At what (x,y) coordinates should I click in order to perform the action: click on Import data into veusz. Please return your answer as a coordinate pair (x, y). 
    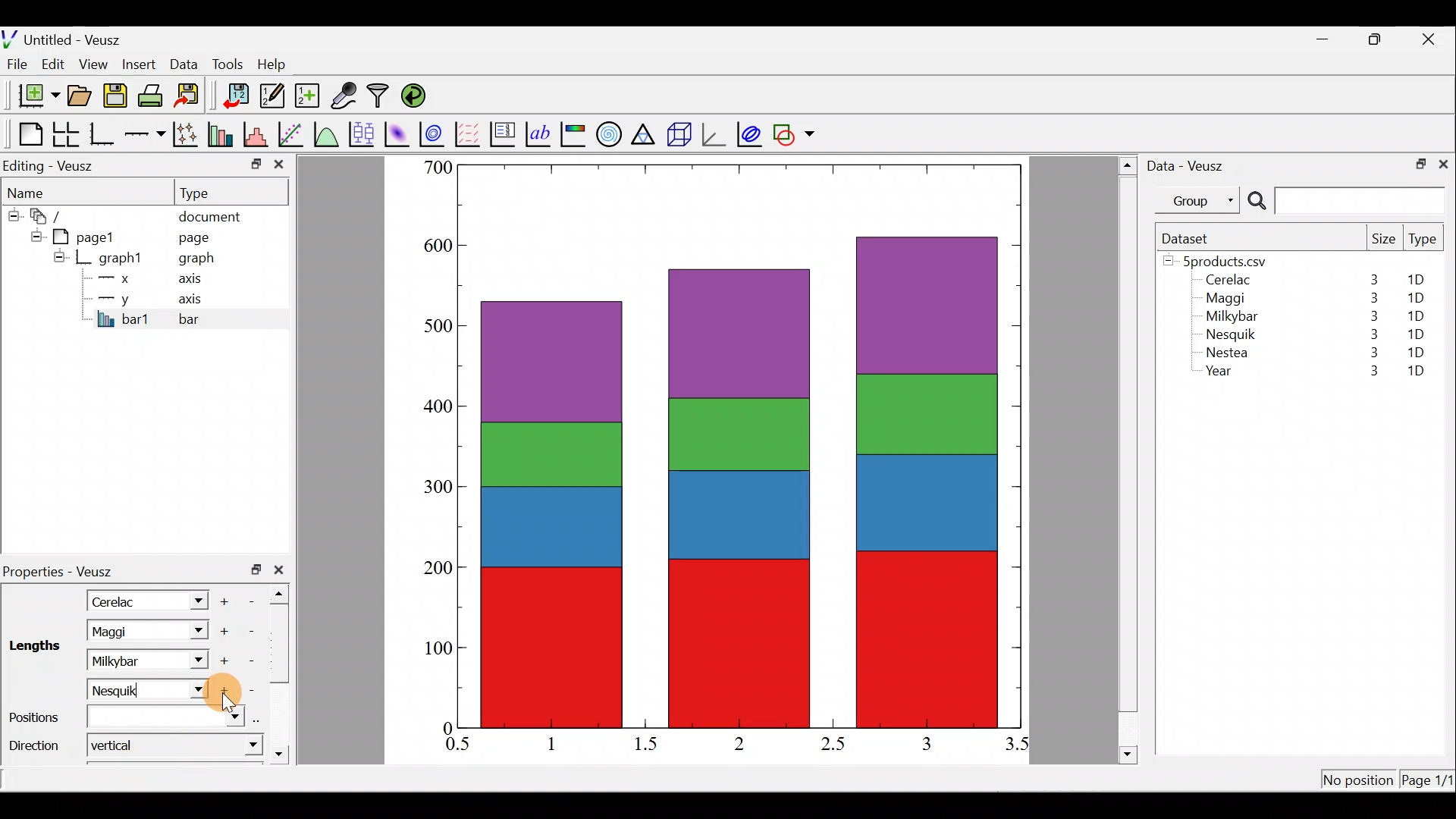
    Looking at the image, I should click on (237, 96).